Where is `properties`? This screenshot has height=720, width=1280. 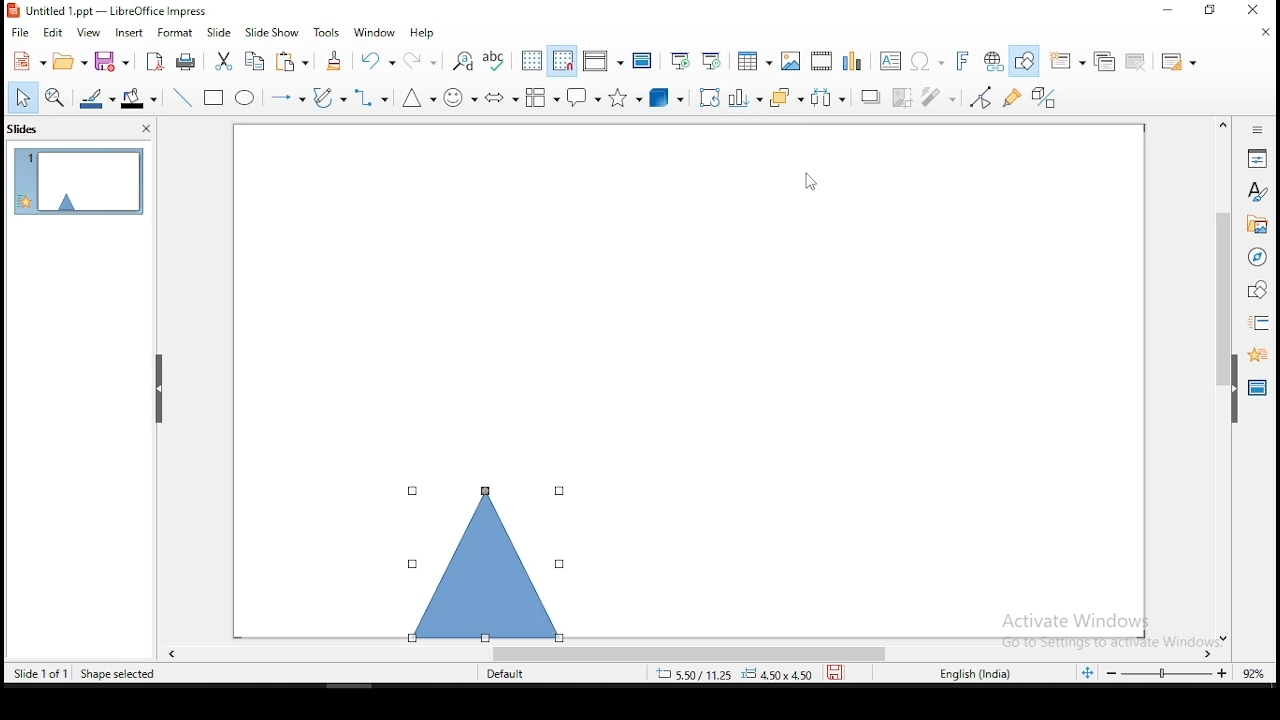
properties is located at coordinates (1259, 157).